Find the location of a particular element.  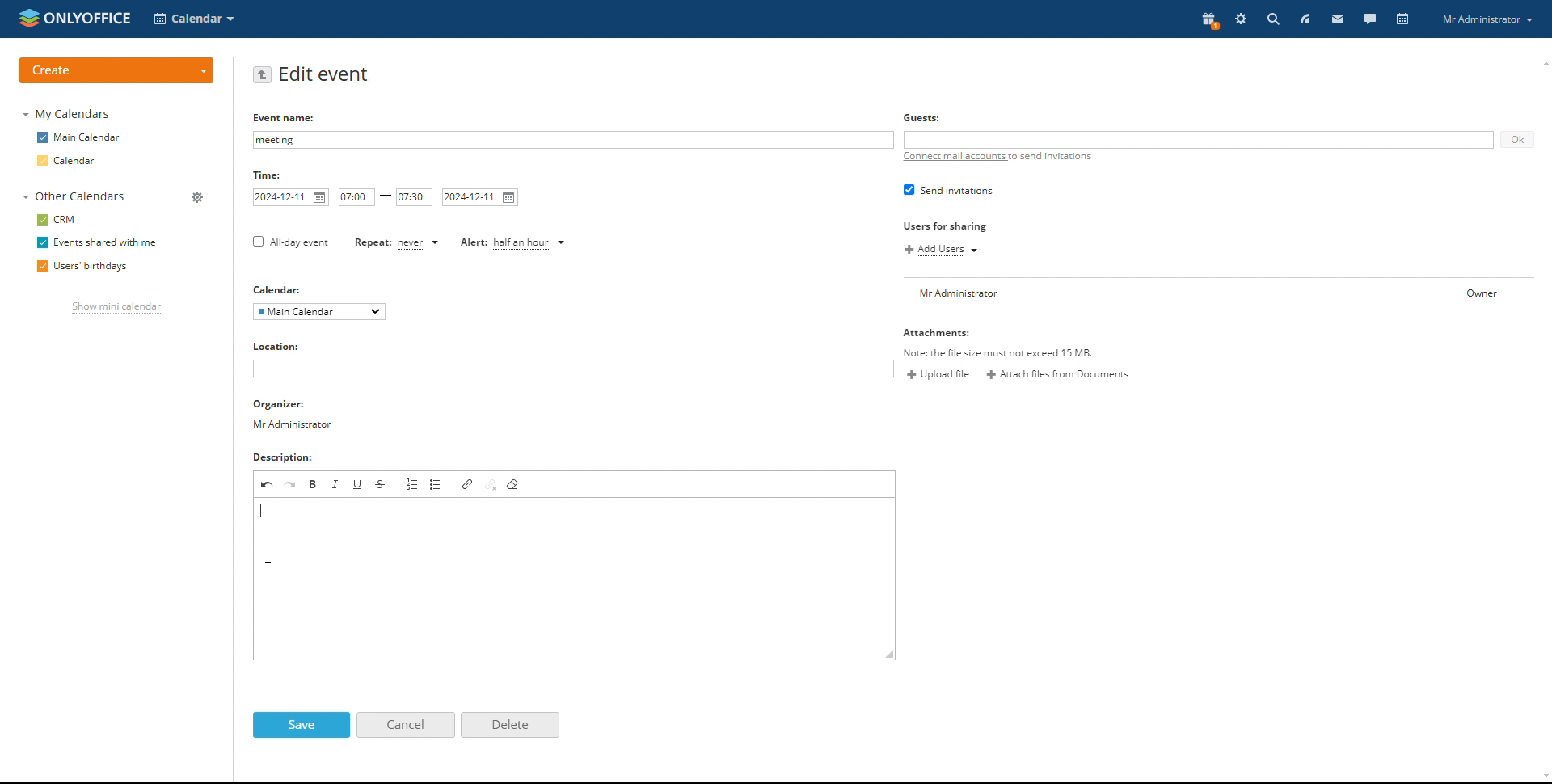

Attachments: is located at coordinates (999, 342).